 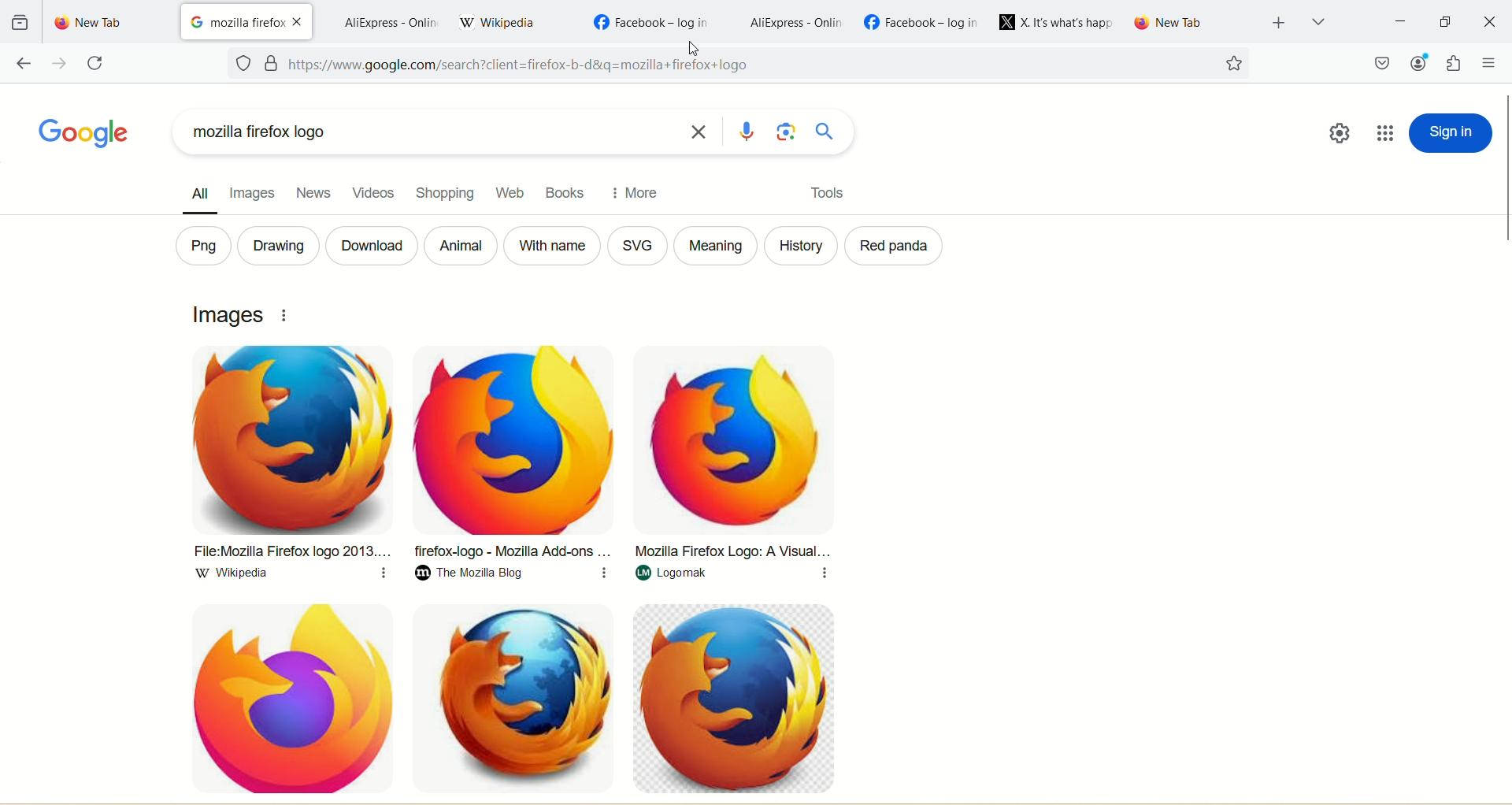 I want to click on extensions, so click(x=1456, y=62).